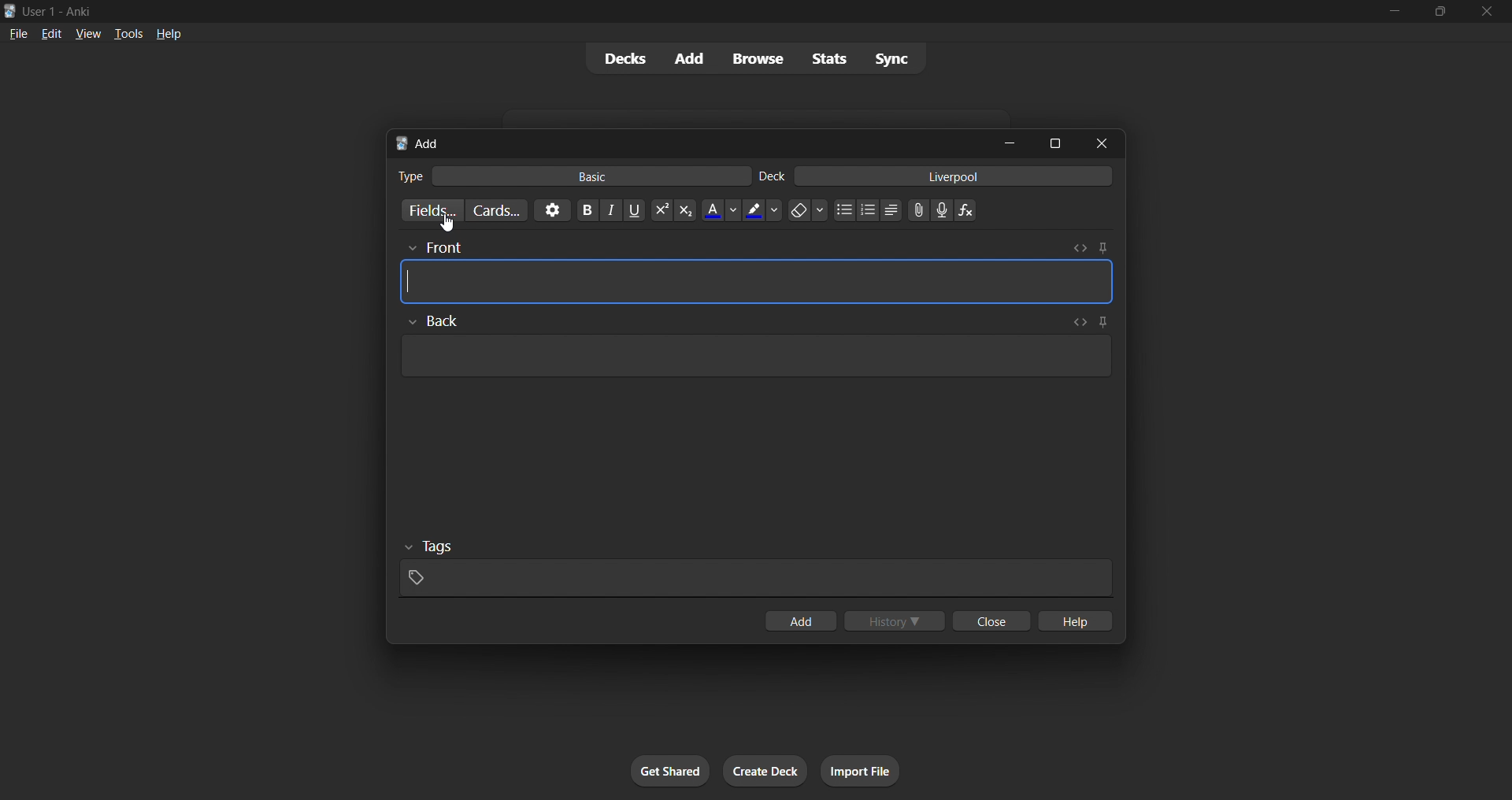 The height and width of the screenshot is (800, 1512). I want to click on customize fields, so click(429, 210).